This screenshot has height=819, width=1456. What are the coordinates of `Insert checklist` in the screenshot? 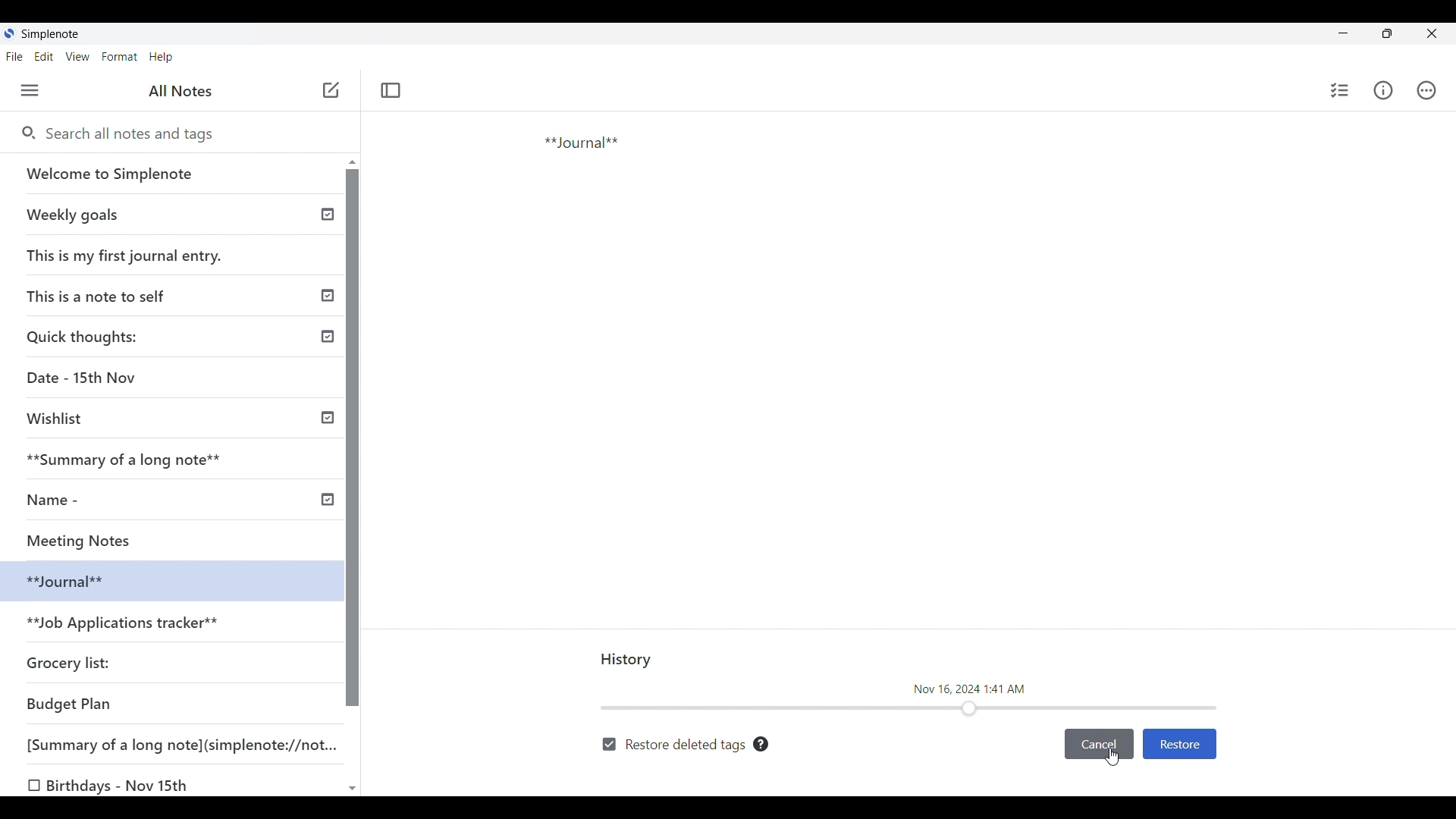 It's located at (1341, 90).